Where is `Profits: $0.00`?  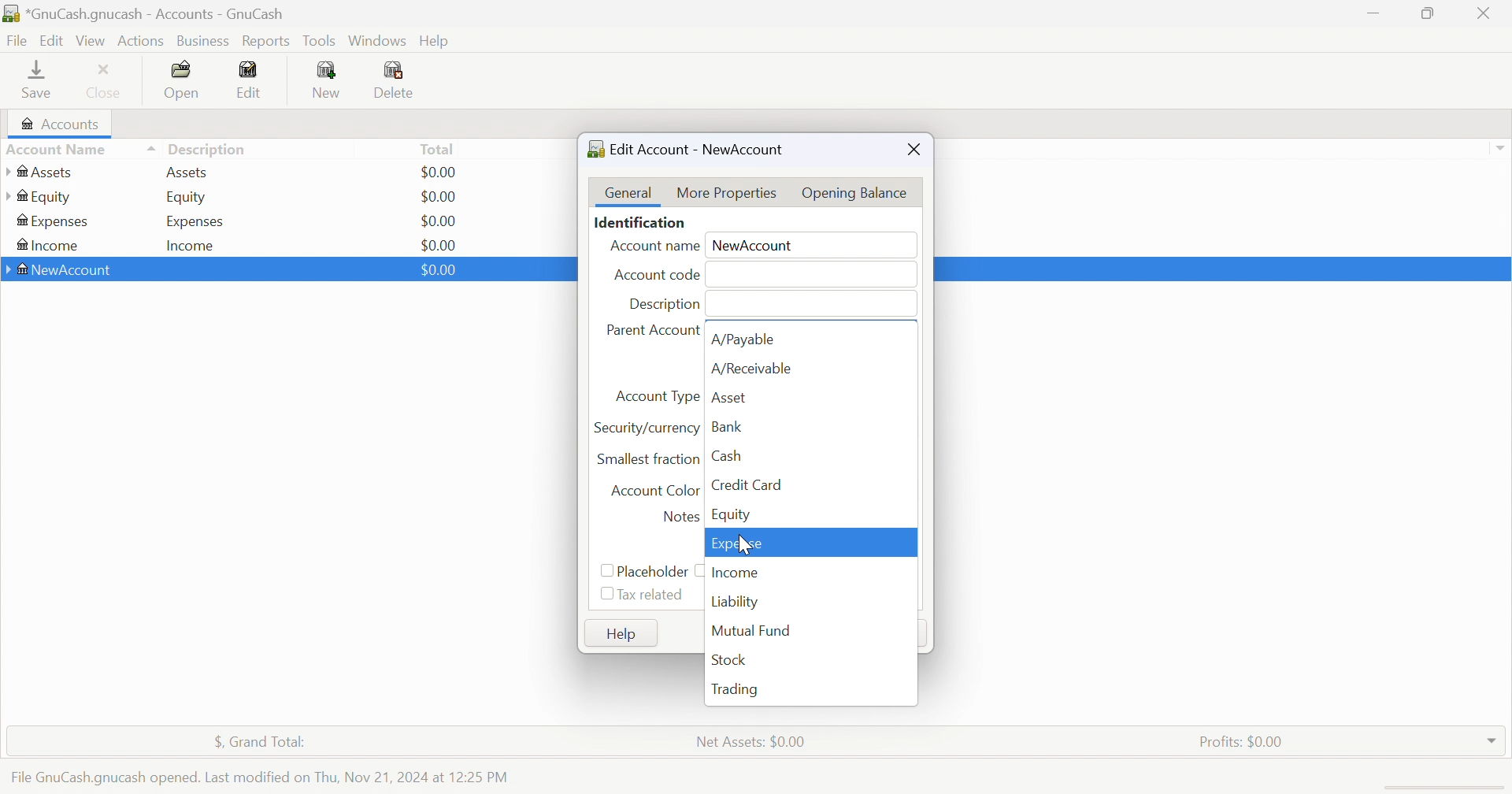 Profits: $0.00 is located at coordinates (1244, 742).